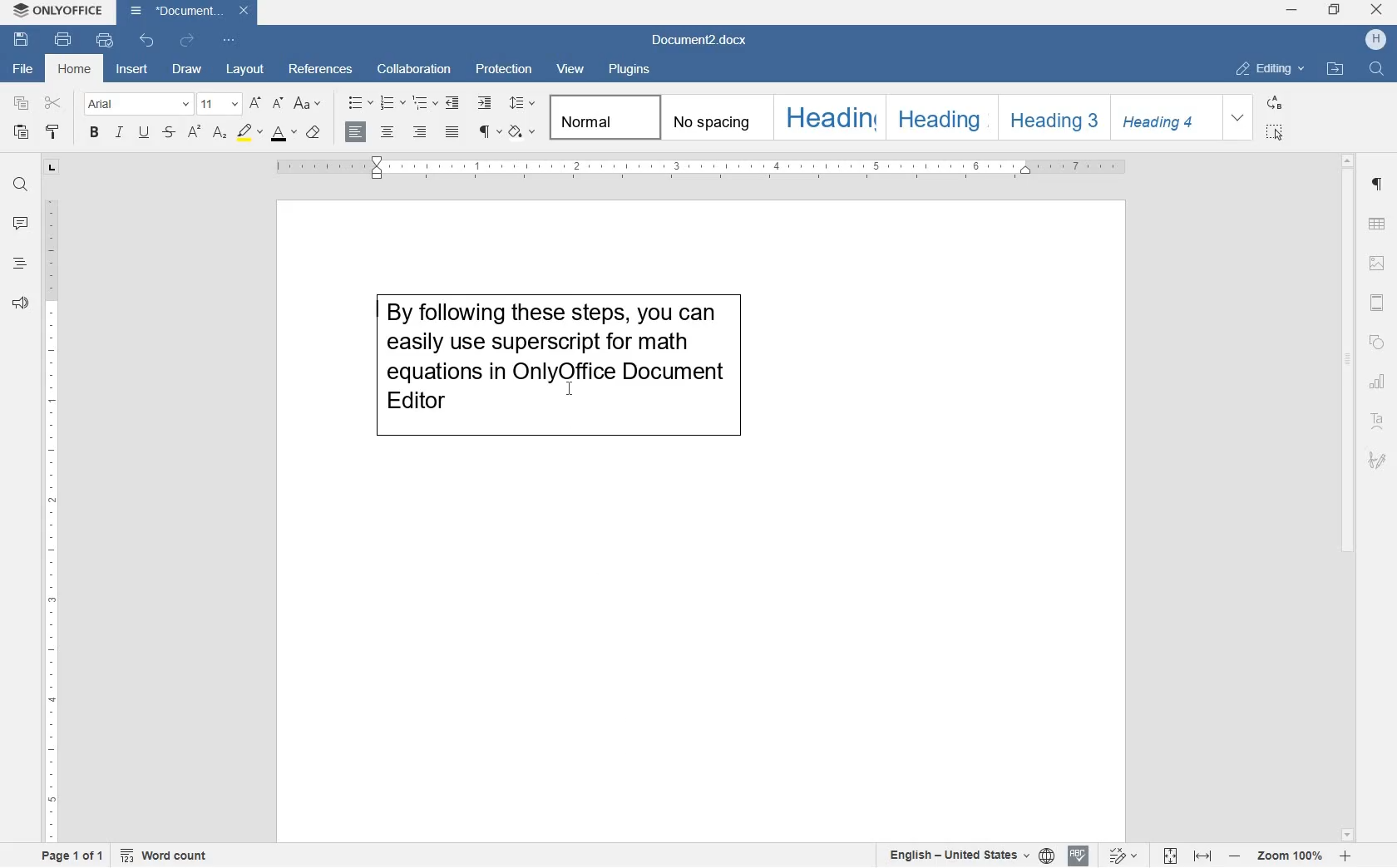  What do you see at coordinates (828, 117) in the screenshot?
I see `HEADING 1` at bounding box center [828, 117].